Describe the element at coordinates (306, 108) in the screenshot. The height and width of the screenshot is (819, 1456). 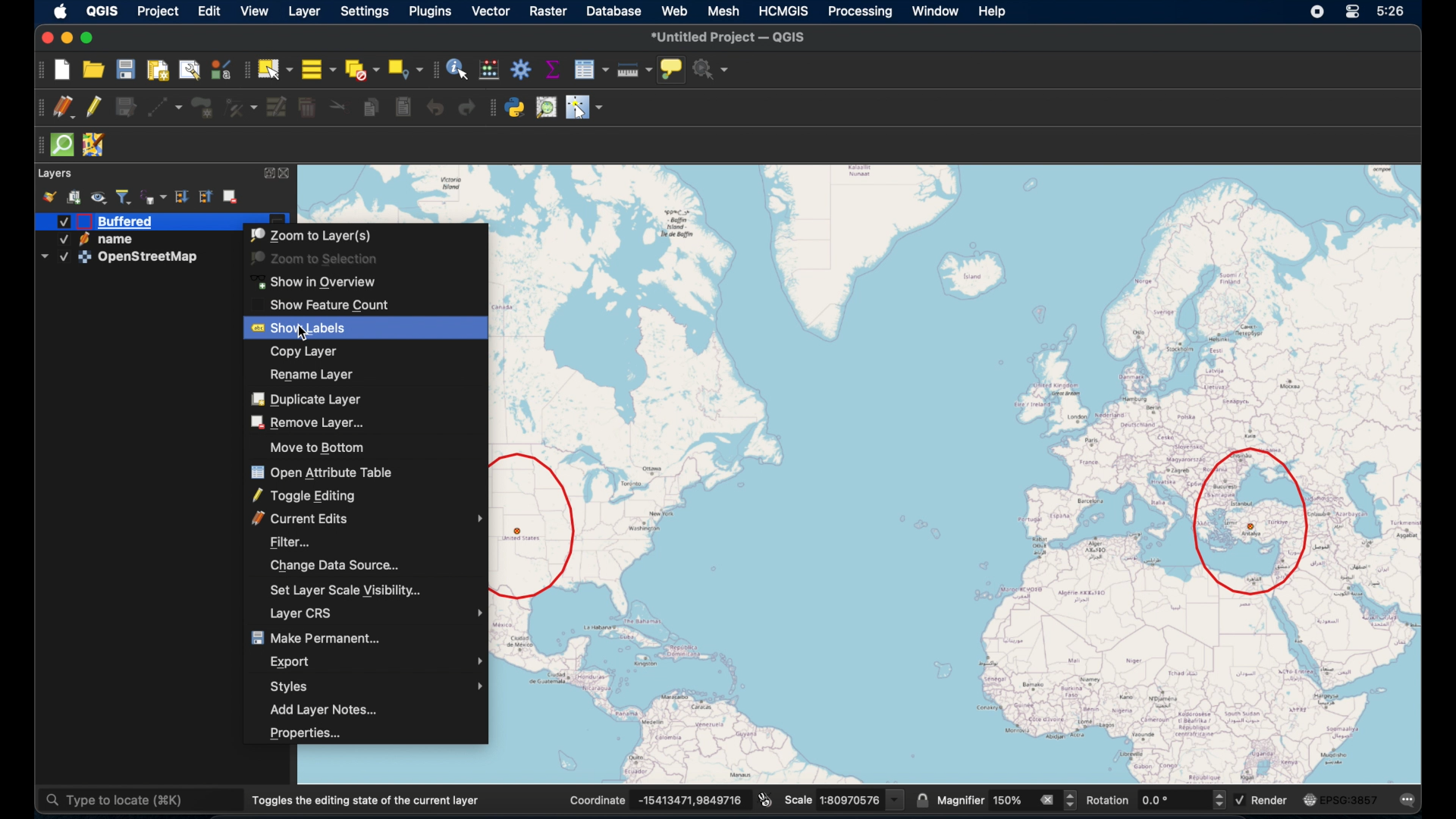
I see `delete selected` at that location.